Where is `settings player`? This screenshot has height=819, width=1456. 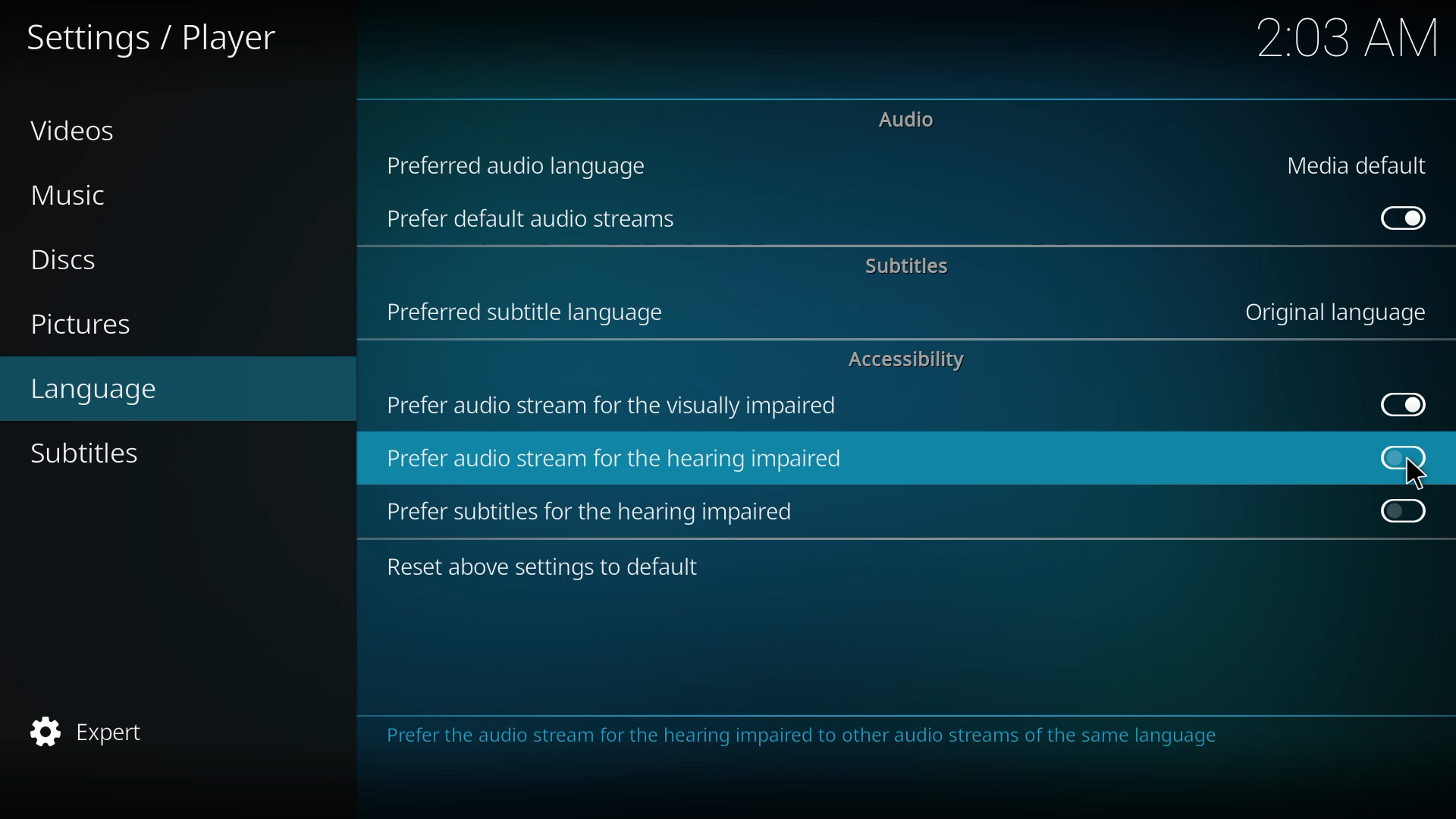 settings player is located at coordinates (152, 37).